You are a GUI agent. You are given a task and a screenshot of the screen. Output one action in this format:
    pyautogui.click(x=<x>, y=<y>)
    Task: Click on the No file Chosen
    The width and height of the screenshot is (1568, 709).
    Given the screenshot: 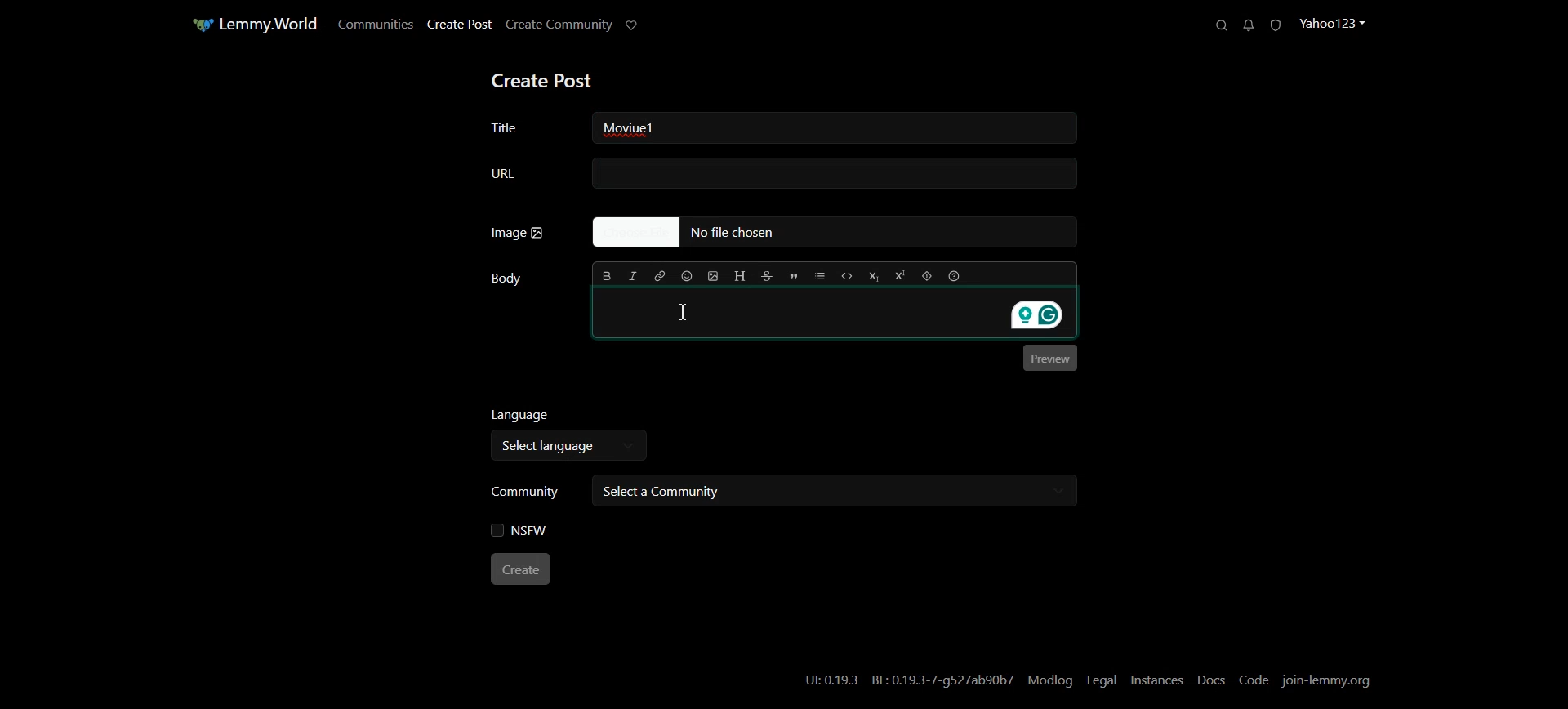 What is the action you would take?
    pyautogui.click(x=833, y=233)
    